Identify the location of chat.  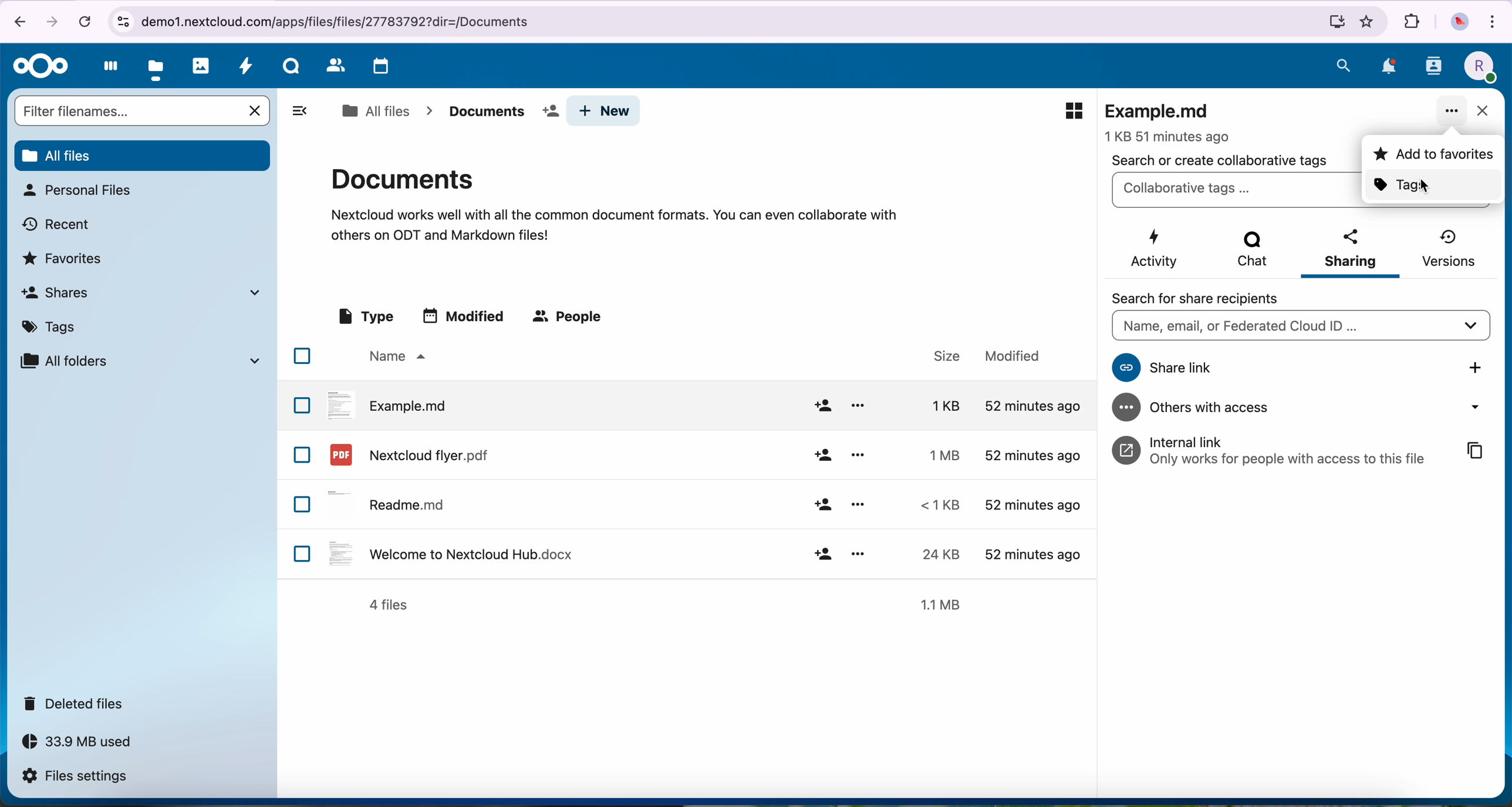
(1250, 252).